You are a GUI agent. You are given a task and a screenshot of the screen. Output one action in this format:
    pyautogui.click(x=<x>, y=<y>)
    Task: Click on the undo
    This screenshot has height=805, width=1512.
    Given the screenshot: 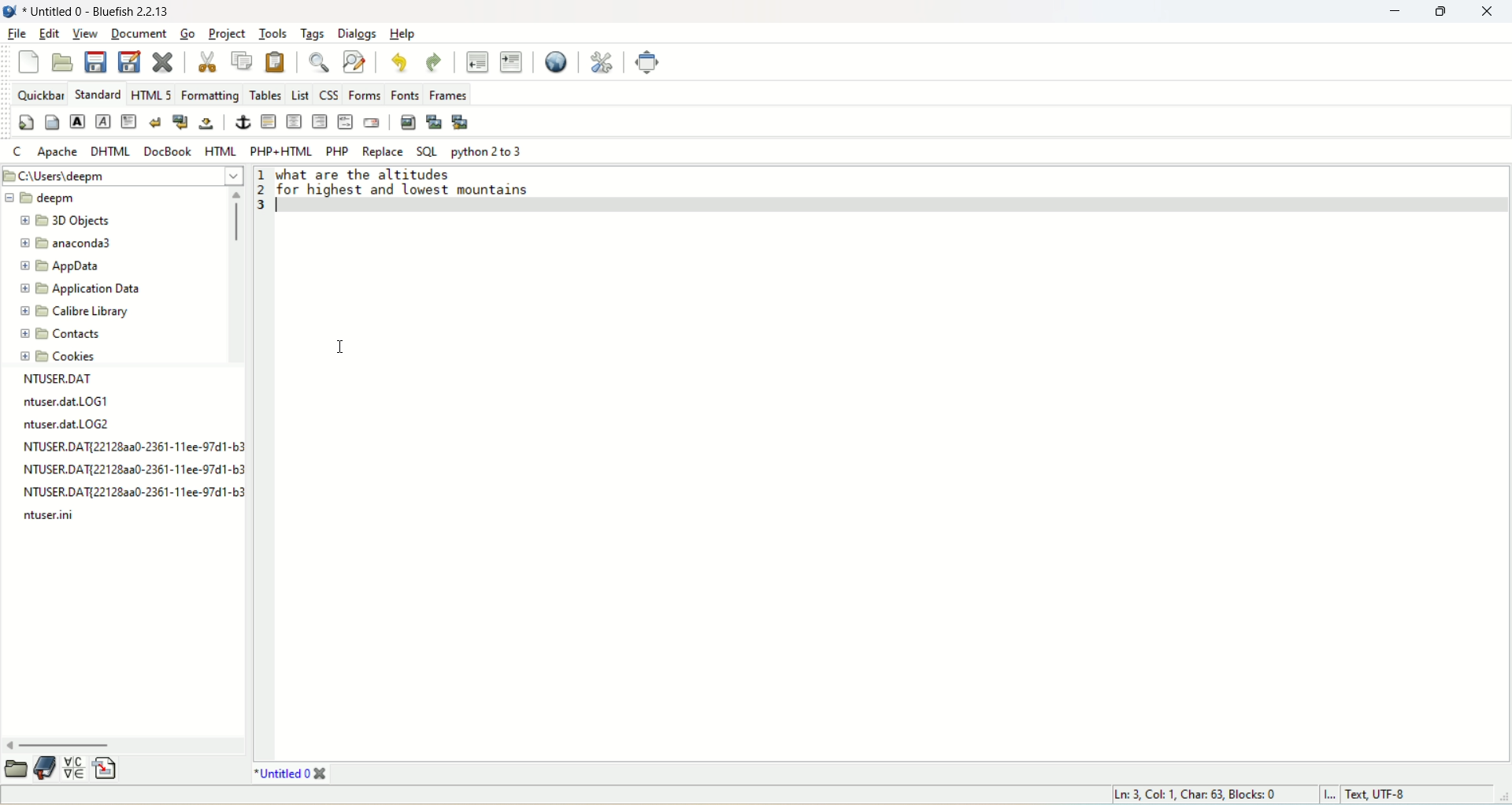 What is the action you would take?
    pyautogui.click(x=398, y=61)
    